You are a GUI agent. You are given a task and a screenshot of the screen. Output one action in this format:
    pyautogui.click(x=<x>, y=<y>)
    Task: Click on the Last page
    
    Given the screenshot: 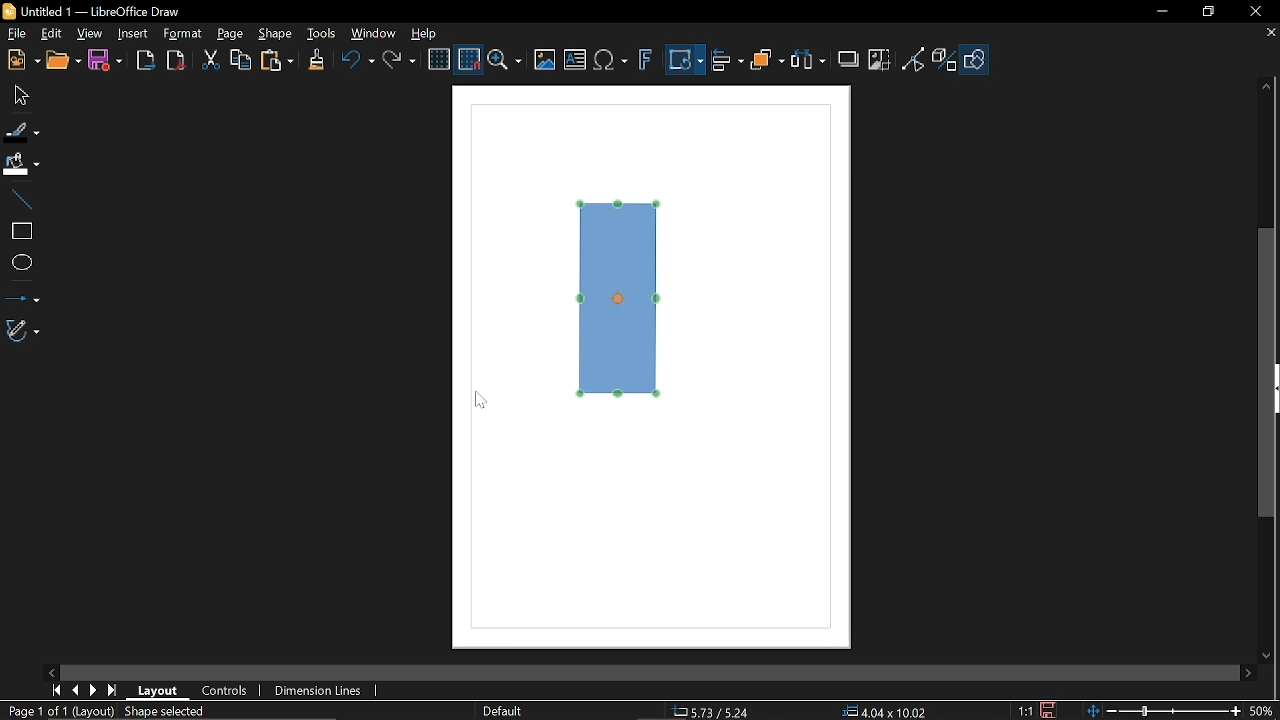 What is the action you would take?
    pyautogui.click(x=112, y=691)
    